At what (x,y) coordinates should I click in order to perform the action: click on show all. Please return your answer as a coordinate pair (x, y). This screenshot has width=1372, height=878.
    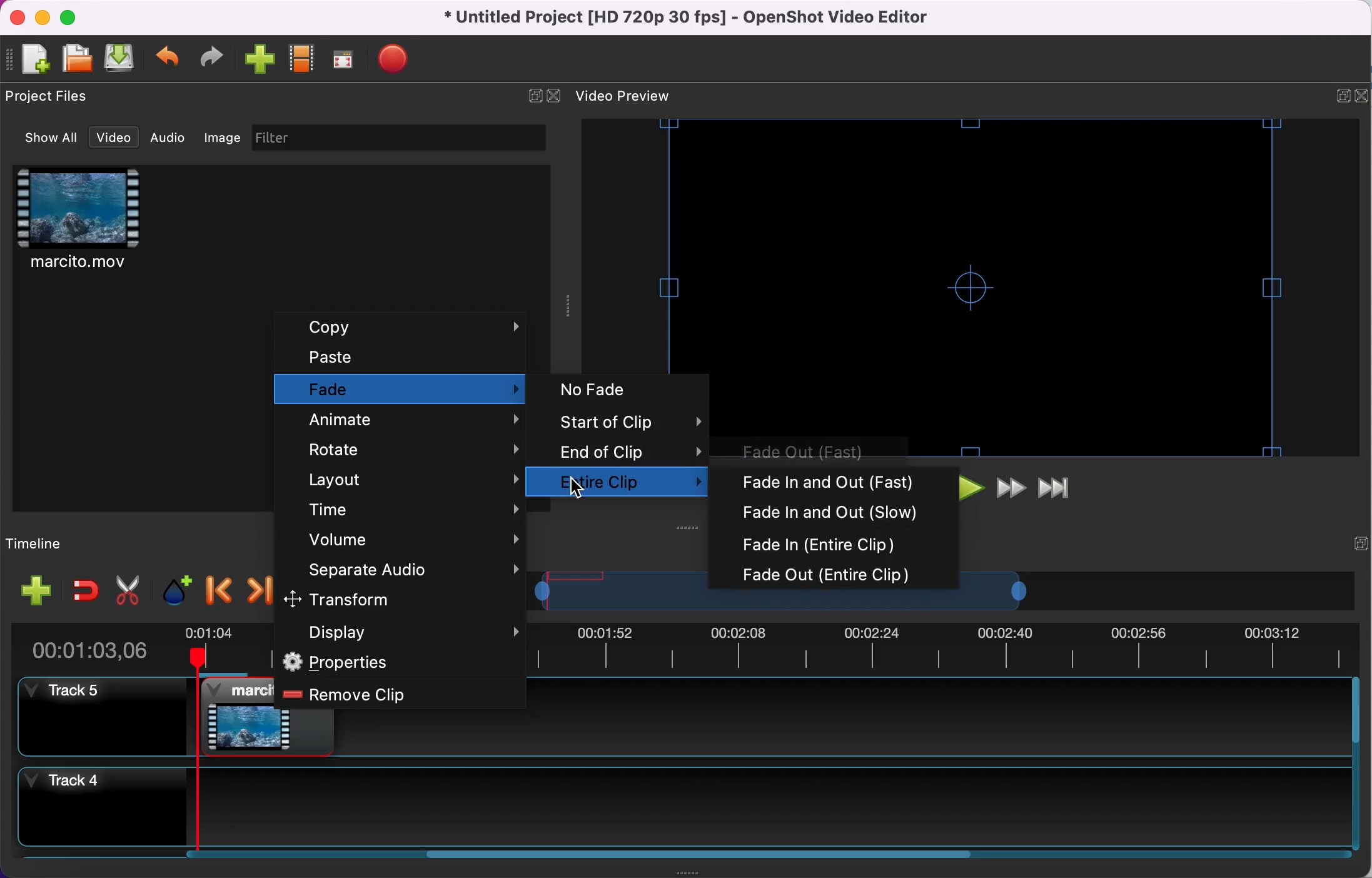
    Looking at the image, I should click on (44, 137).